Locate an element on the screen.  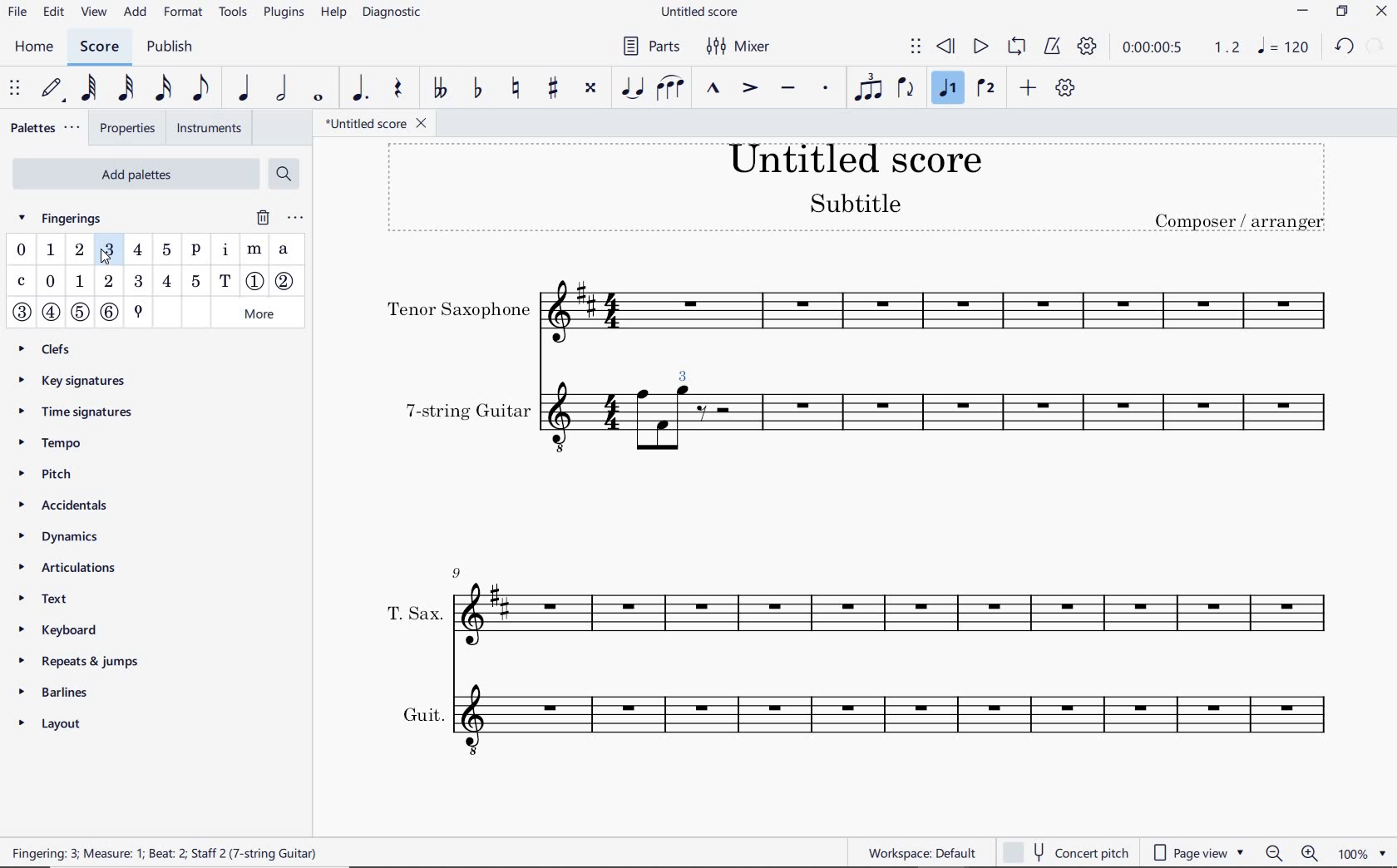
SELECT TO MOVE is located at coordinates (917, 47).